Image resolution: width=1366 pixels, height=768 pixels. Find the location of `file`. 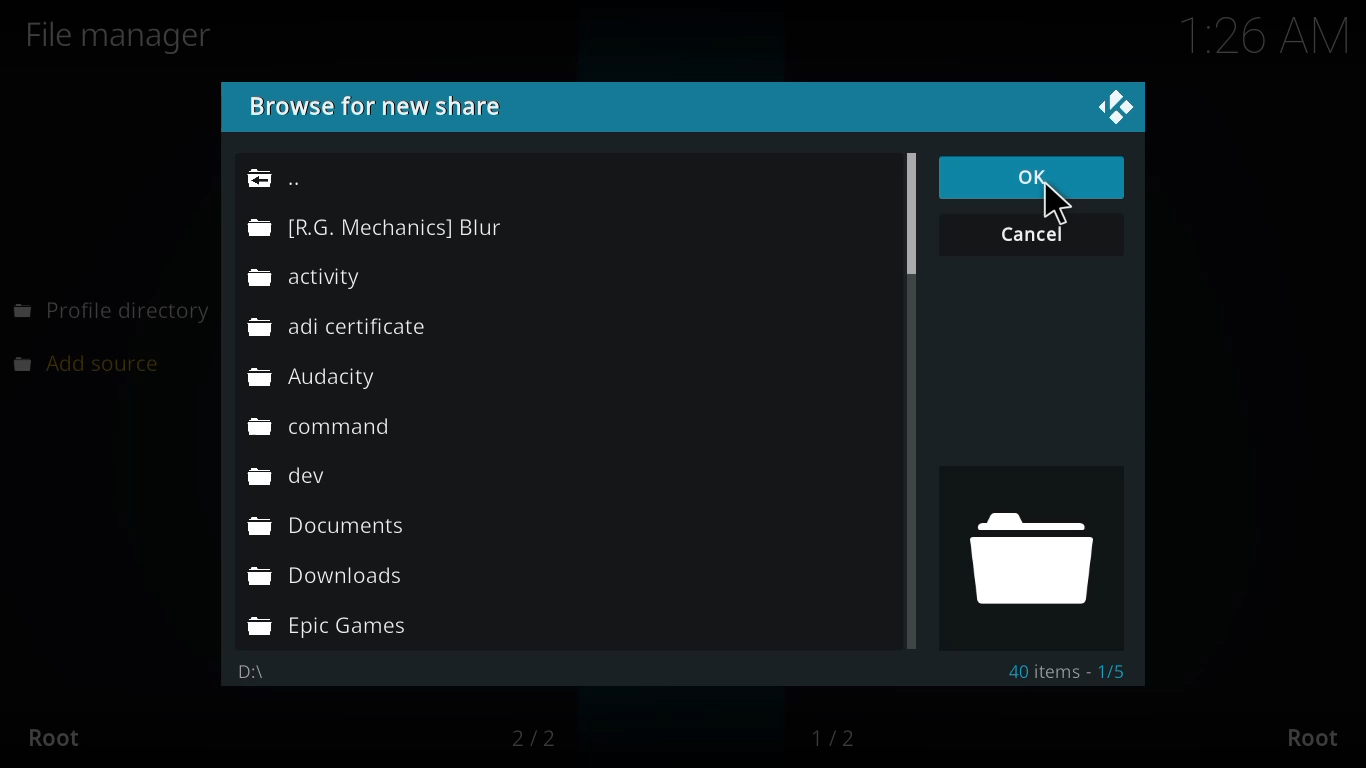

file is located at coordinates (342, 328).